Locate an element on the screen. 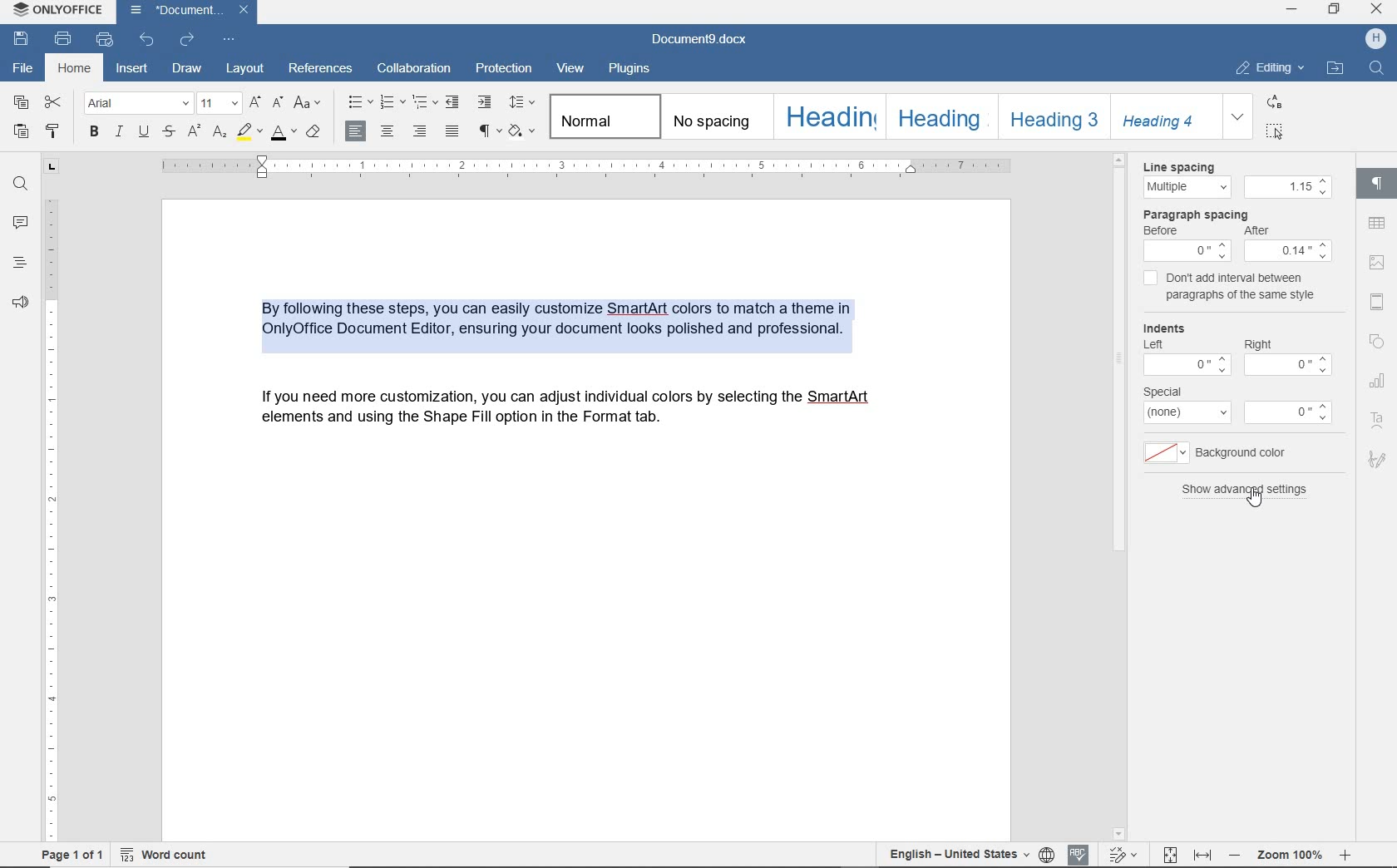 This screenshot has width=1397, height=868. replace is located at coordinates (1272, 104).